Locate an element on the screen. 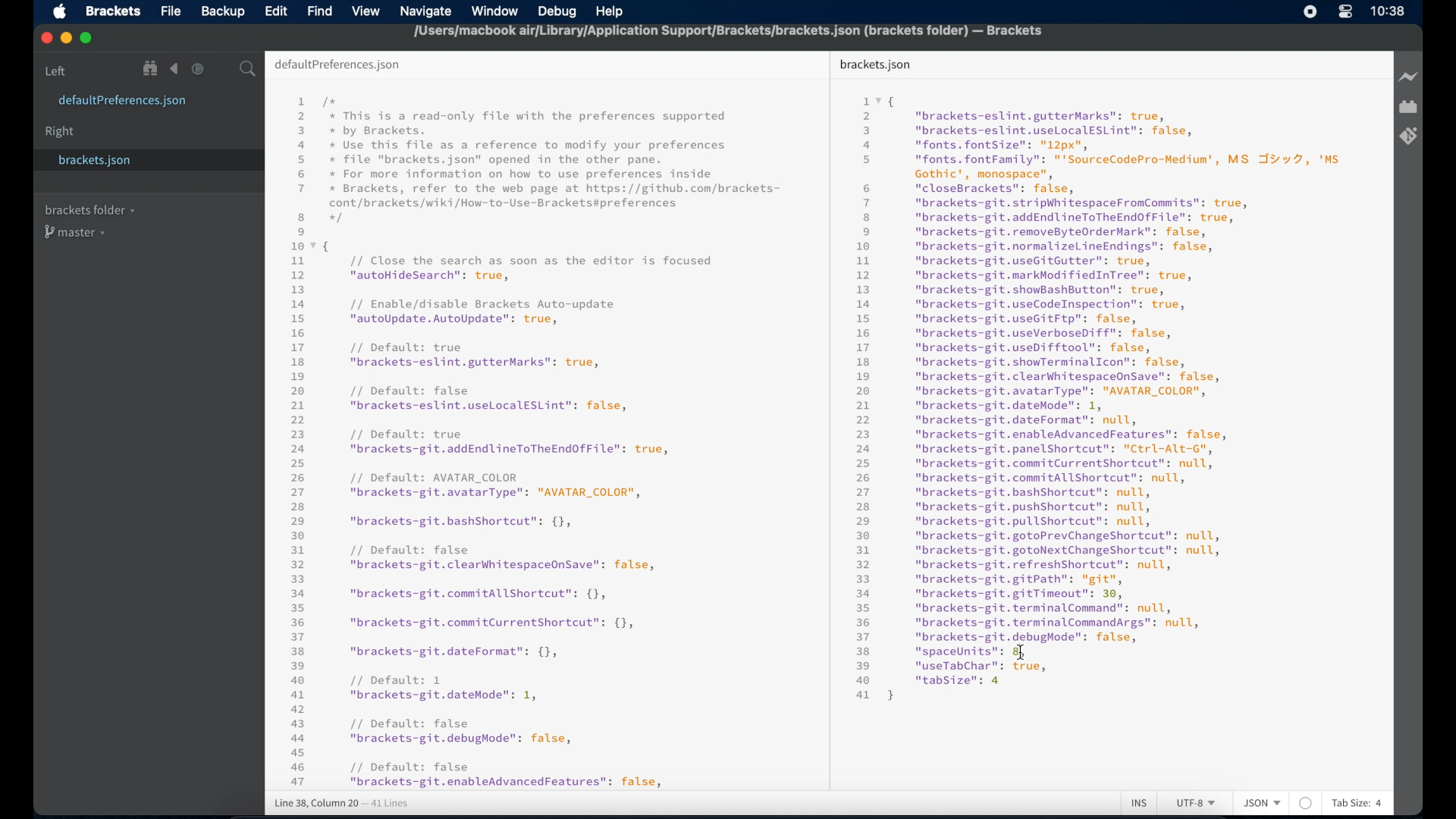 Image resolution: width=1456 pixels, height=819 pixels. maximize is located at coordinates (87, 39).